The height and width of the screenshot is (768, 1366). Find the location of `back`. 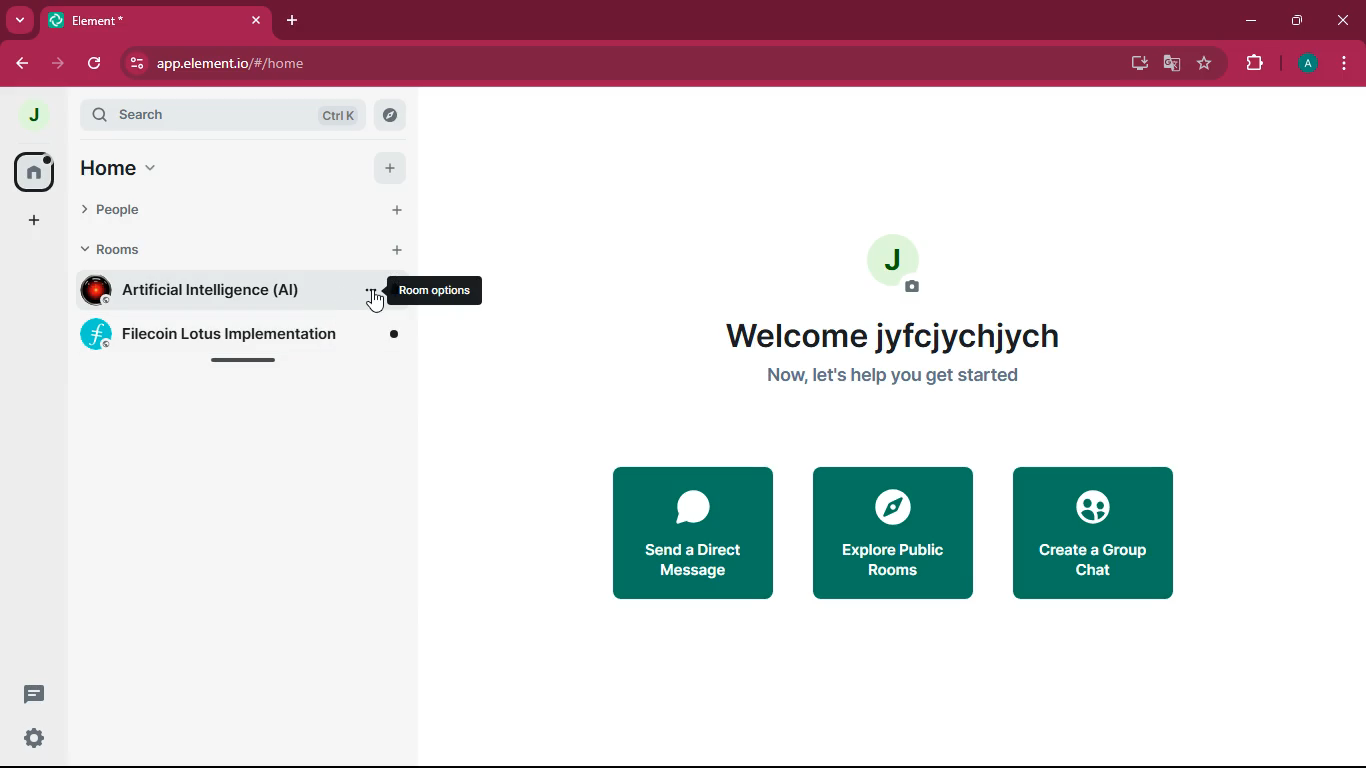

back is located at coordinates (21, 64).